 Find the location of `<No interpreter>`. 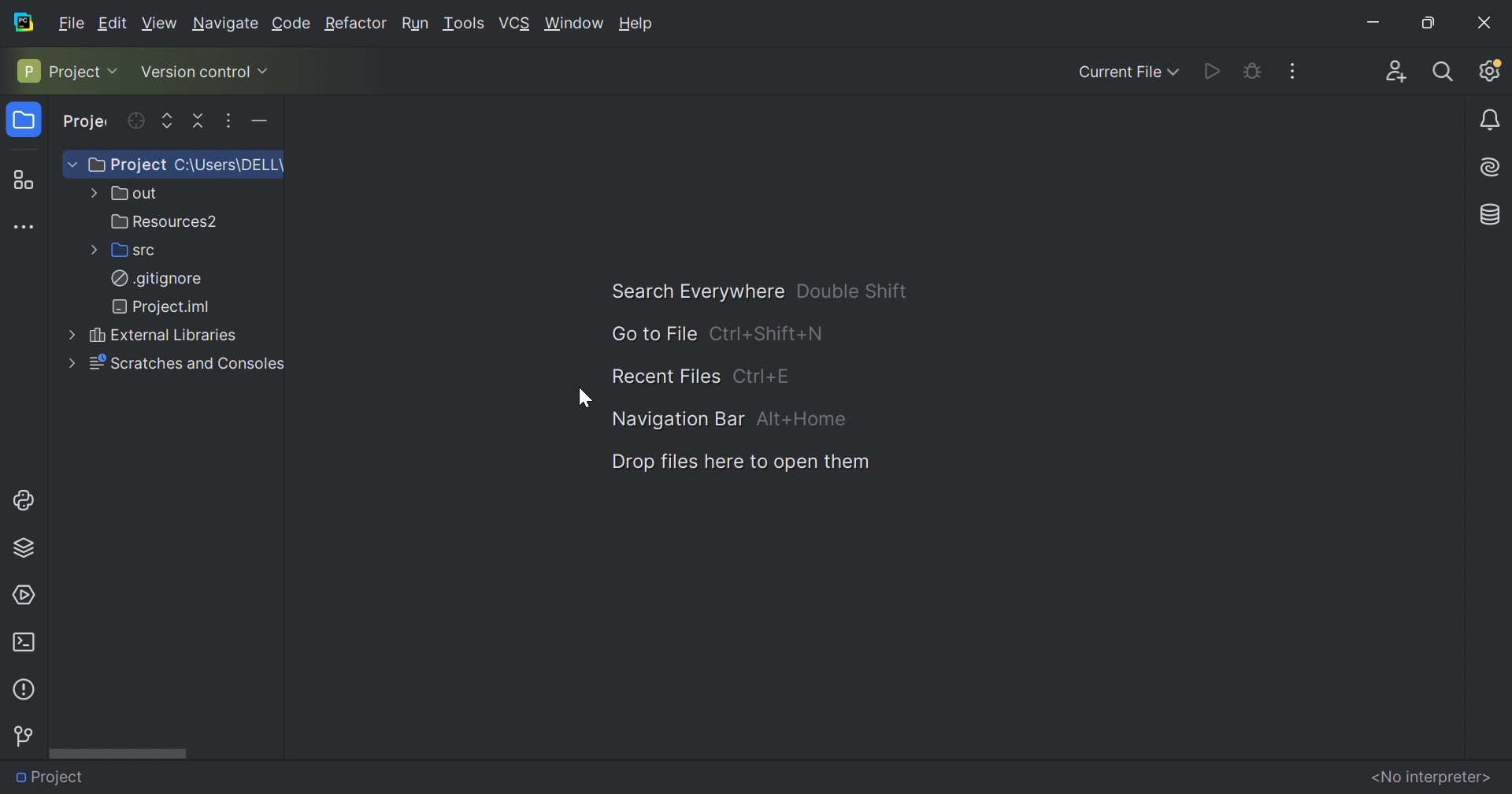

<No interpreter> is located at coordinates (1430, 776).